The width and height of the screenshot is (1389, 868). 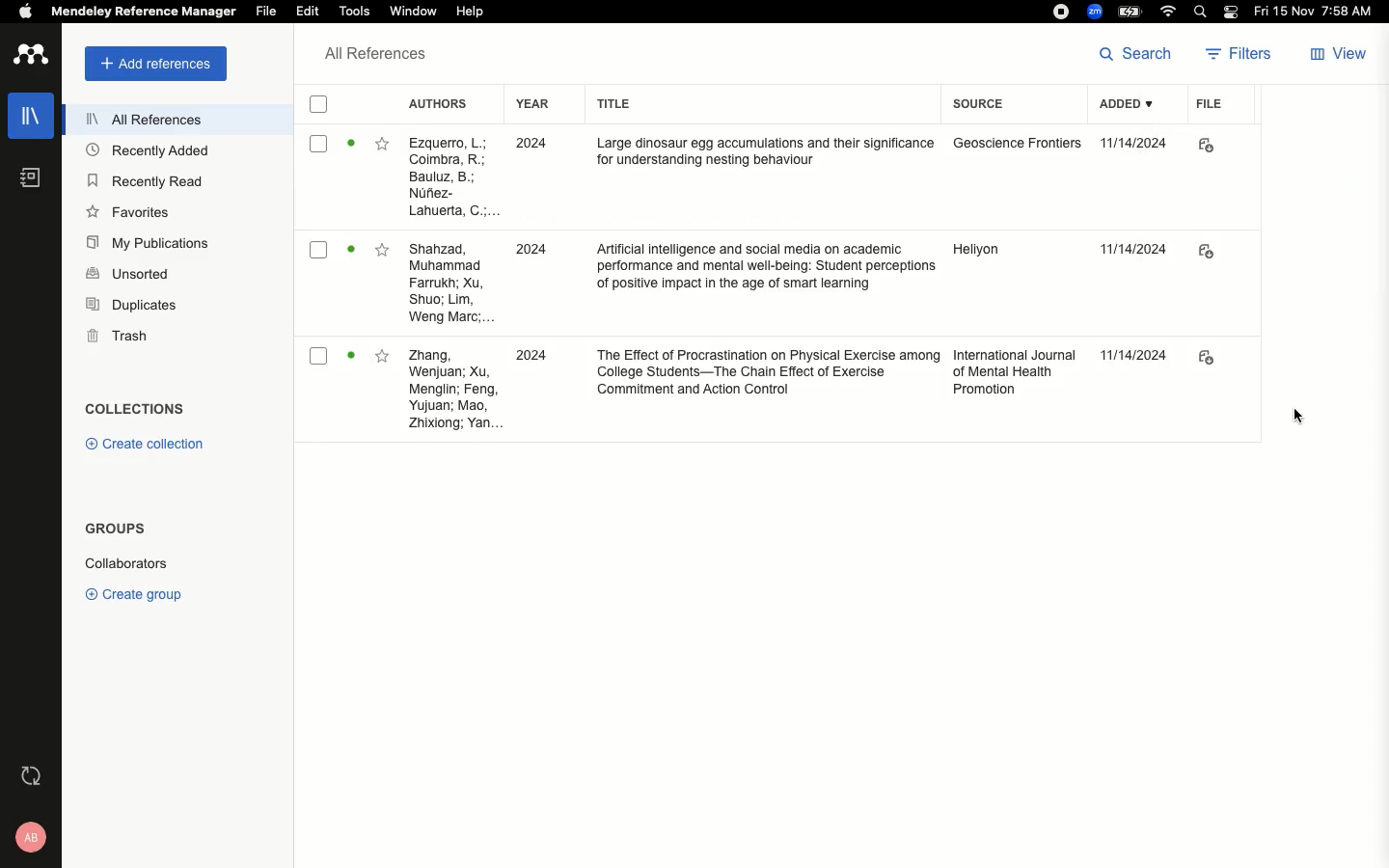 What do you see at coordinates (321, 356) in the screenshot?
I see `Checkbox` at bounding box center [321, 356].